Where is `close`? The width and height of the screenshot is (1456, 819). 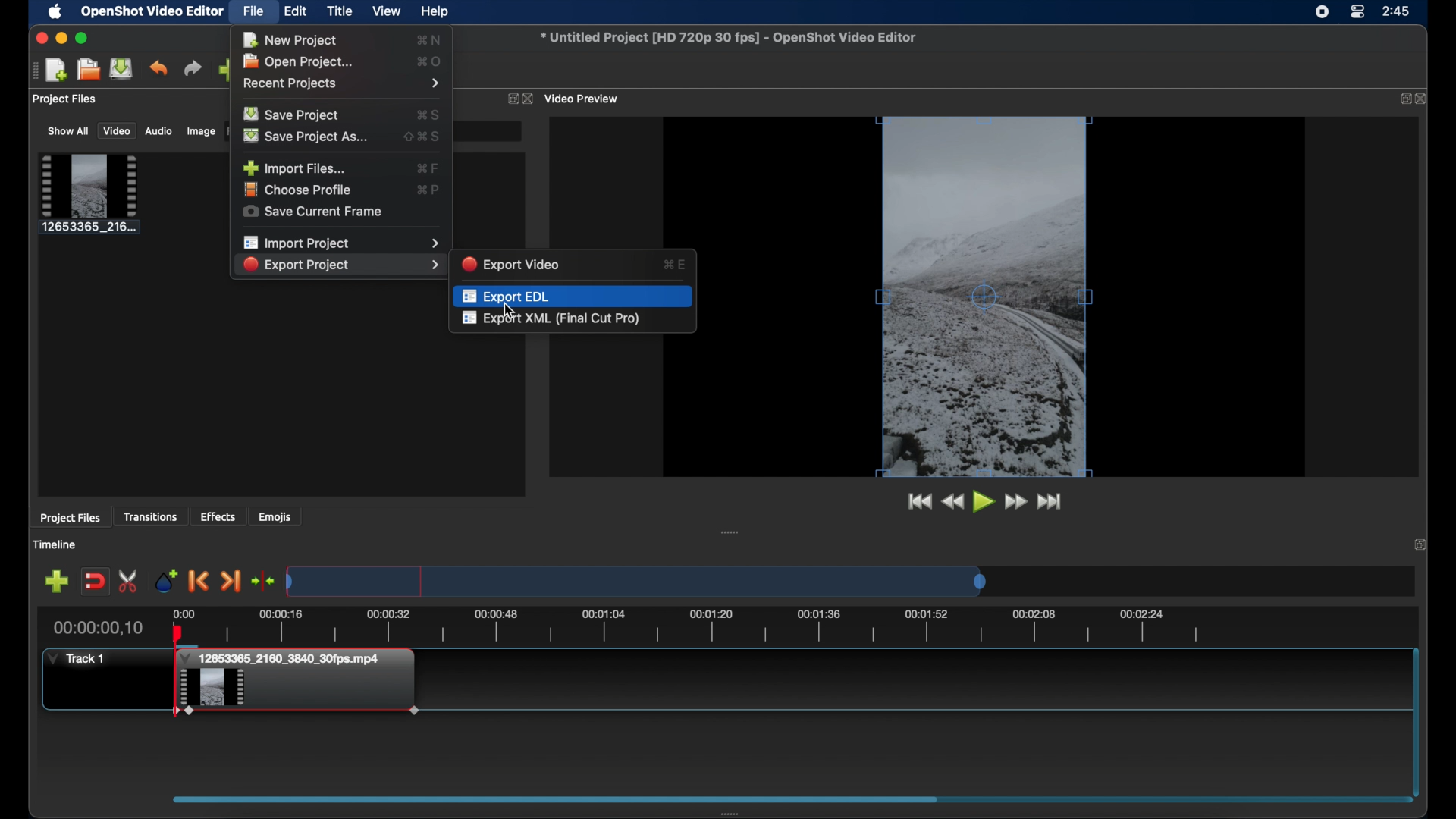
close is located at coordinates (1421, 544).